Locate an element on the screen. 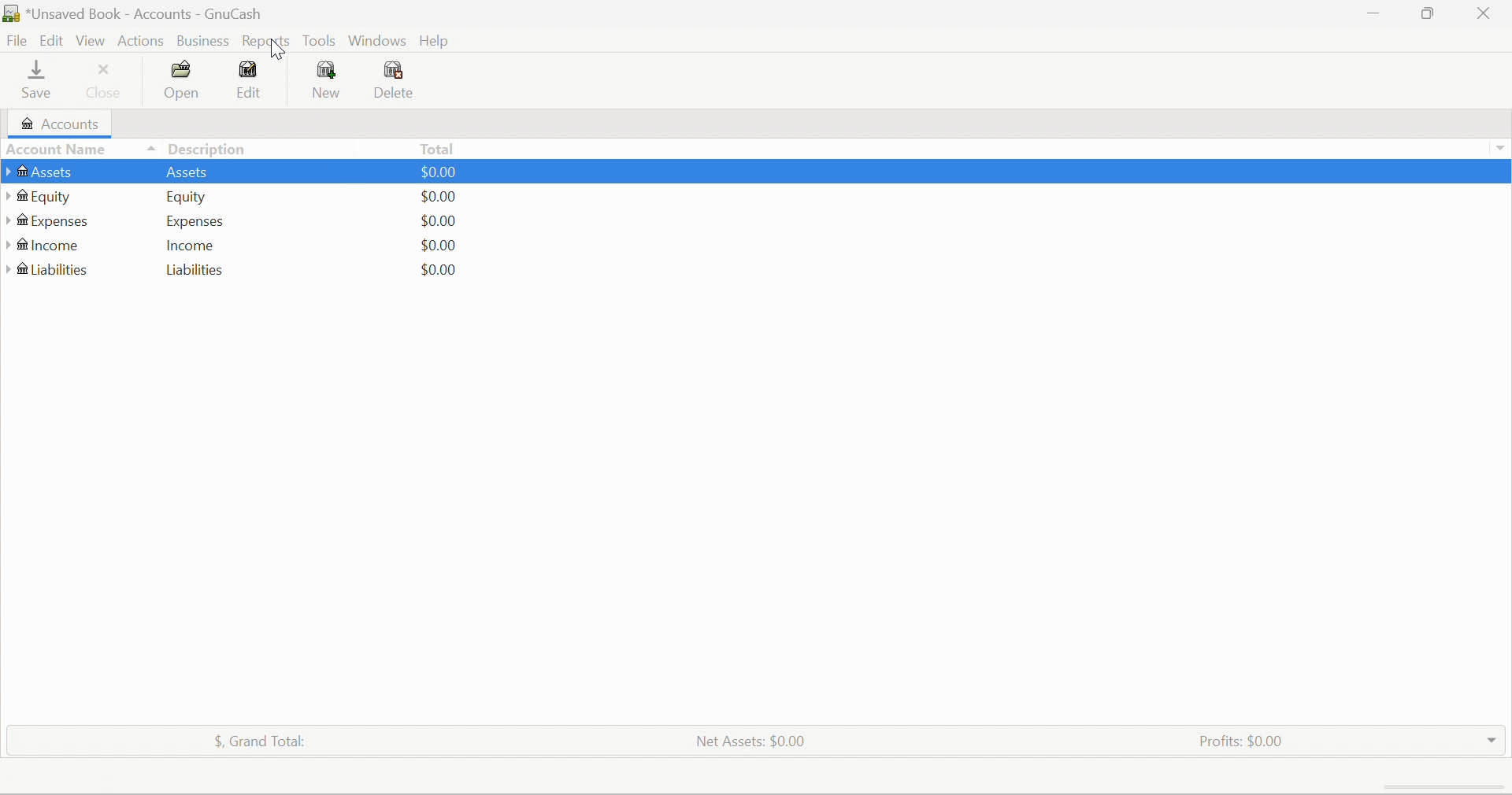  Minimize is located at coordinates (1369, 14).